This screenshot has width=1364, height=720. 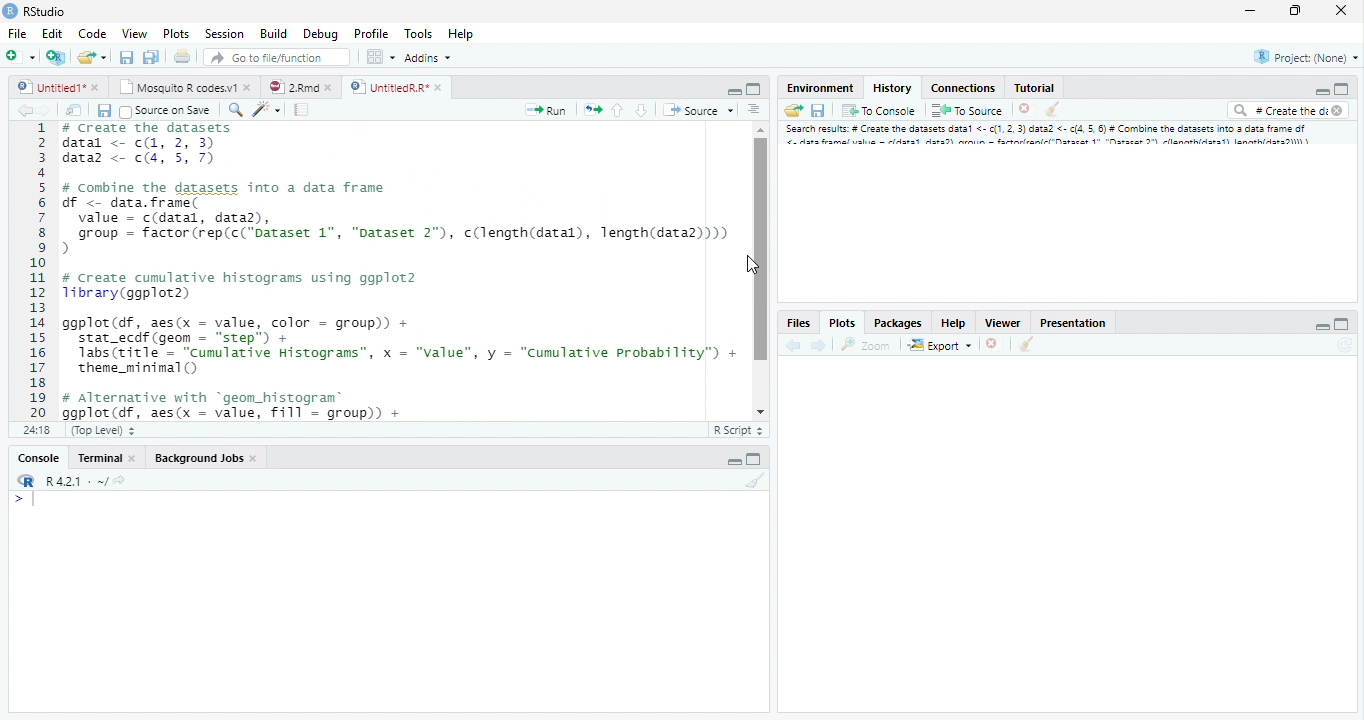 I want to click on Minimize, so click(x=733, y=91).